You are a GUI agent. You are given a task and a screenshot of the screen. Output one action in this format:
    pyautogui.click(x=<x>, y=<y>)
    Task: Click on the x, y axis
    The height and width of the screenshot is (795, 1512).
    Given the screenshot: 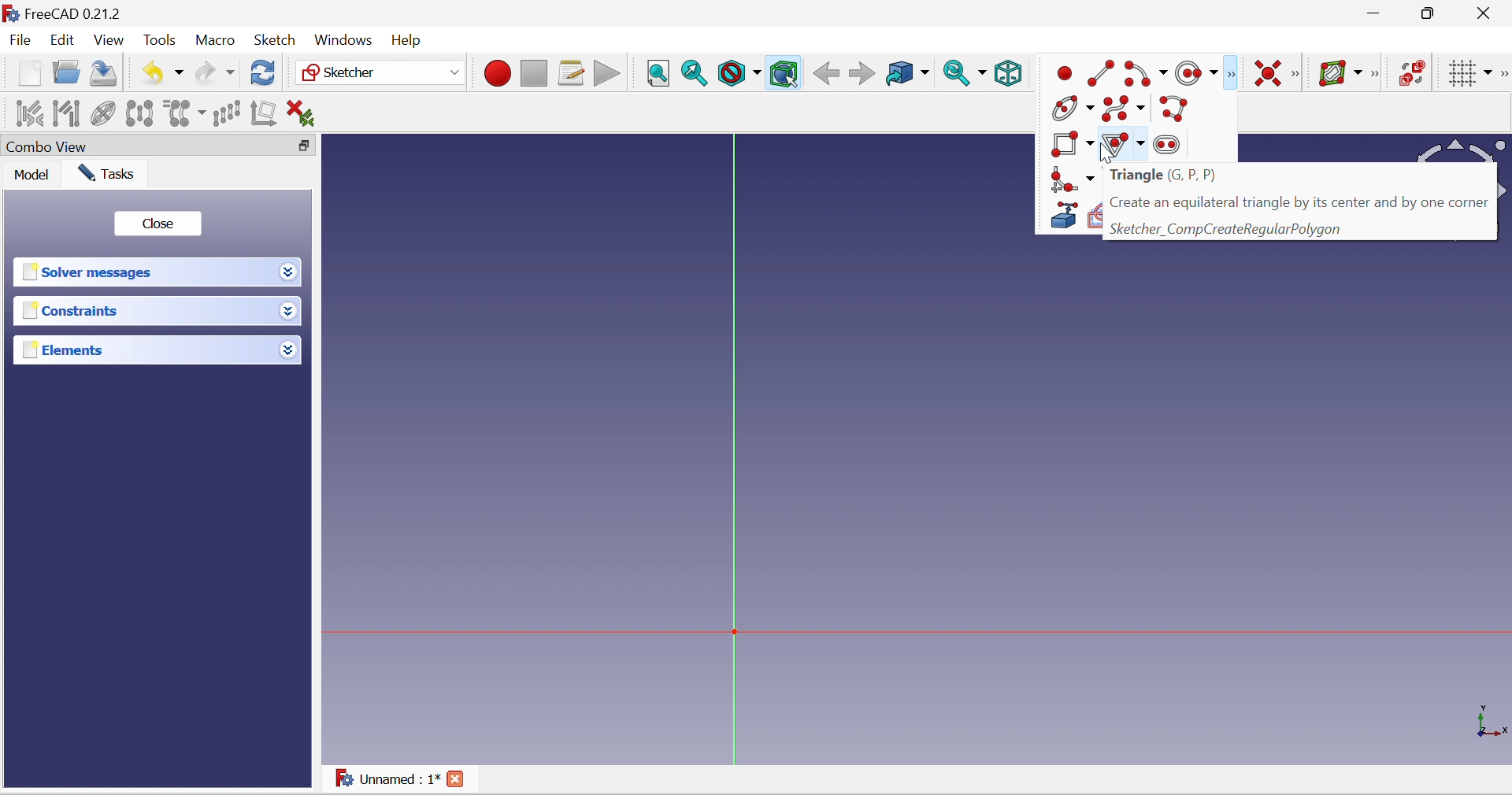 What is the action you would take?
    pyautogui.click(x=1488, y=720)
    